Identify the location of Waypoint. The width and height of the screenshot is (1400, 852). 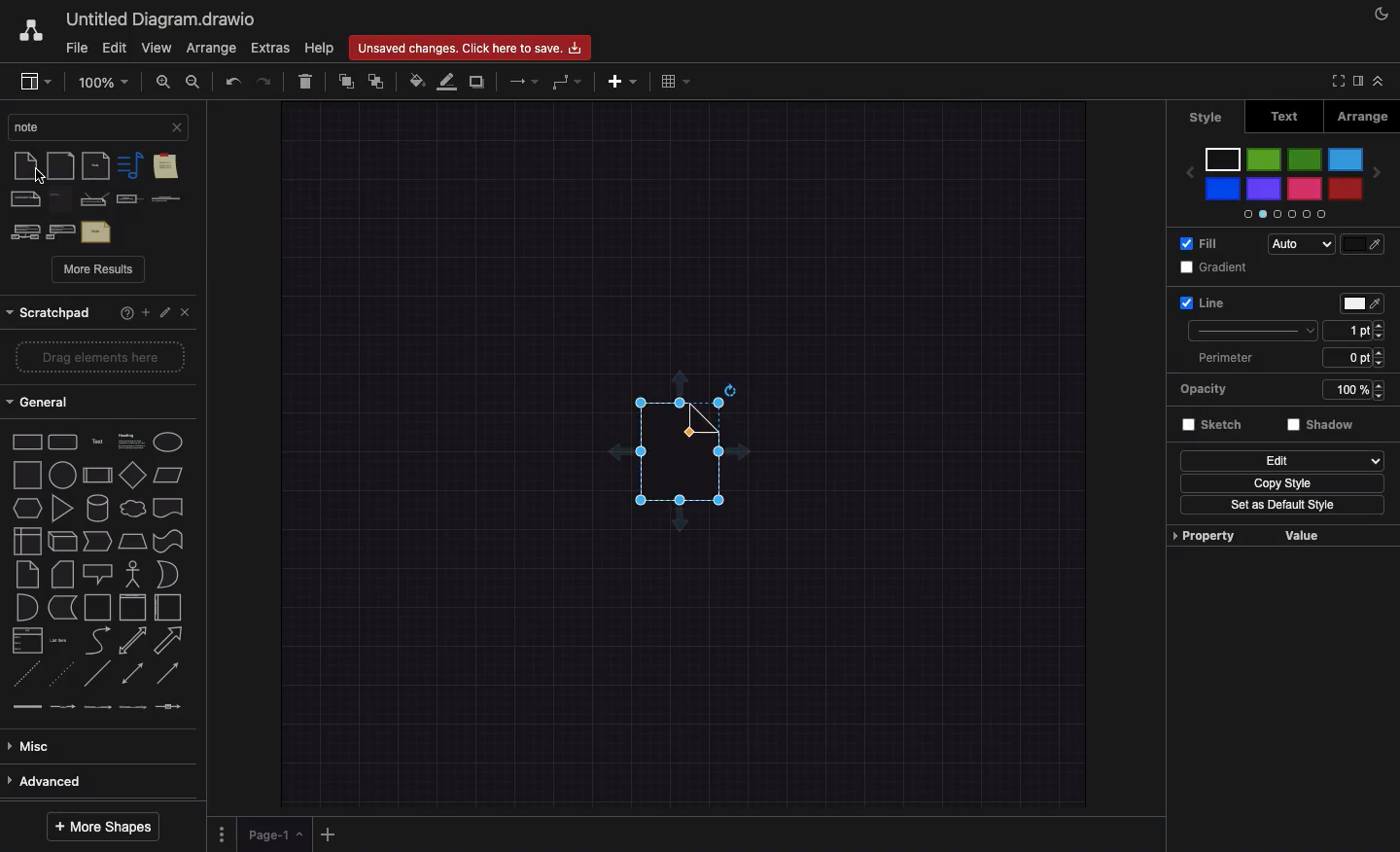
(566, 83).